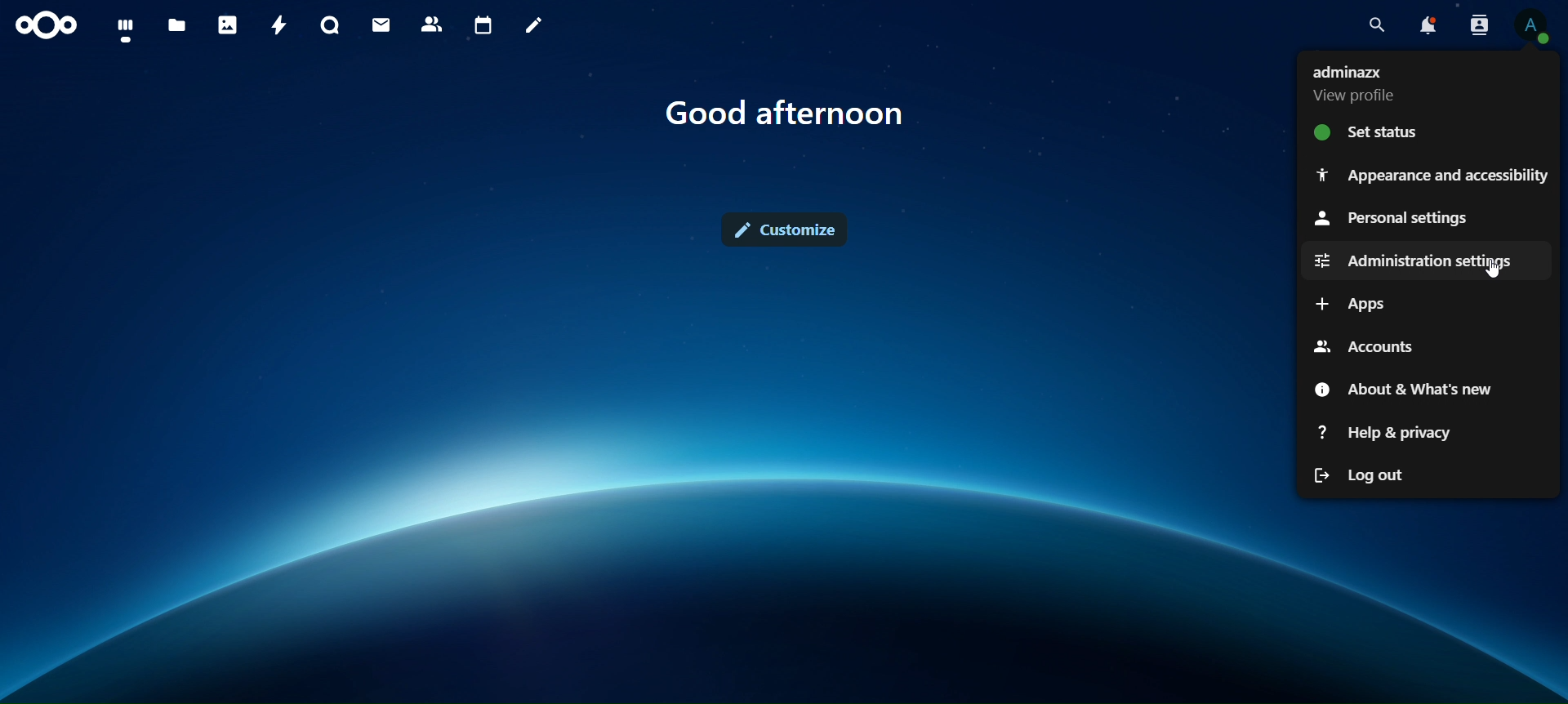 The width and height of the screenshot is (1568, 704). Describe the element at coordinates (230, 25) in the screenshot. I see `photos` at that location.